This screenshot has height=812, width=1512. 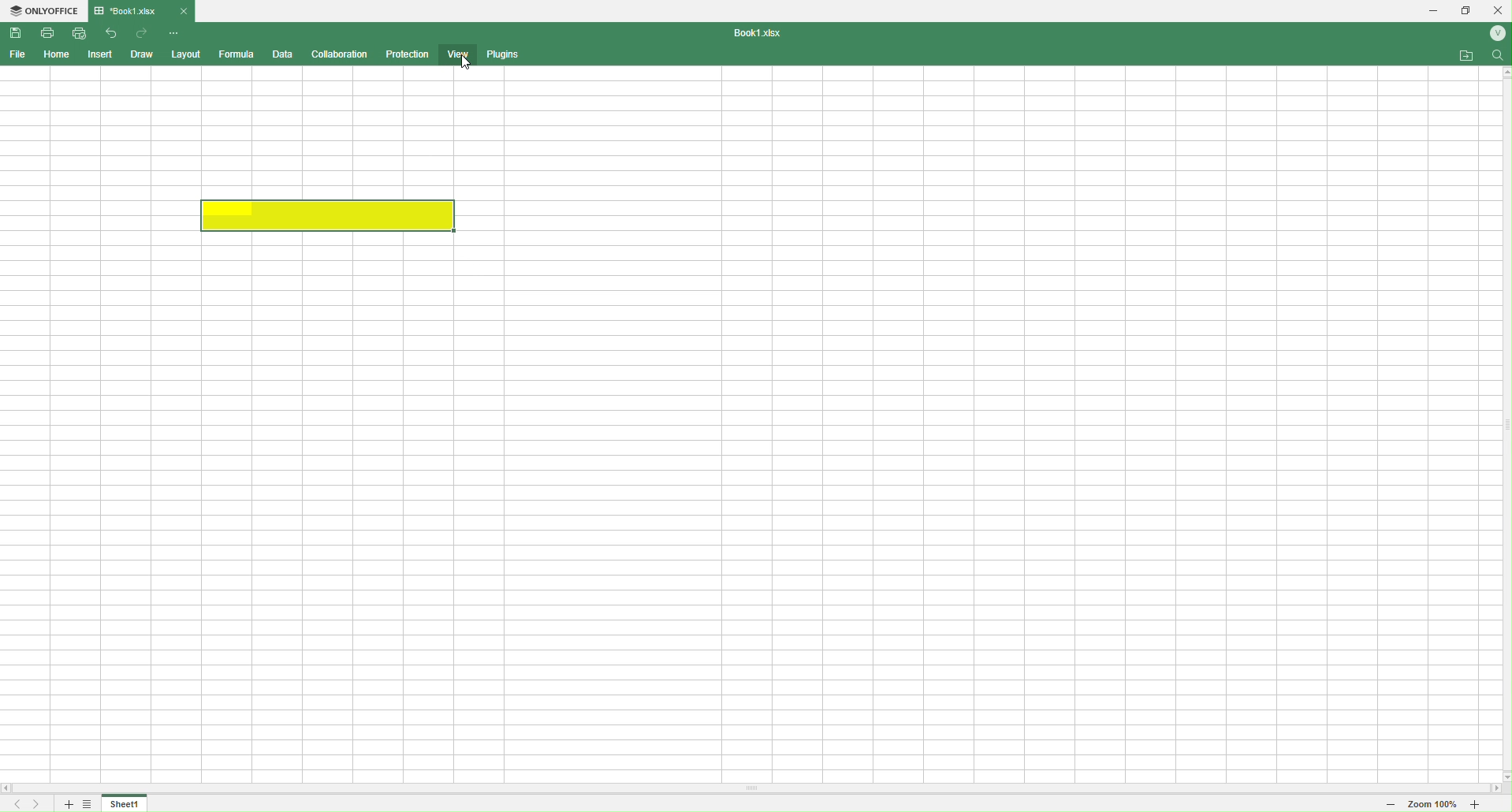 What do you see at coordinates (1489, 806) in the screenshot?
I see `Zoom in` at bounding box center [1489, 806].